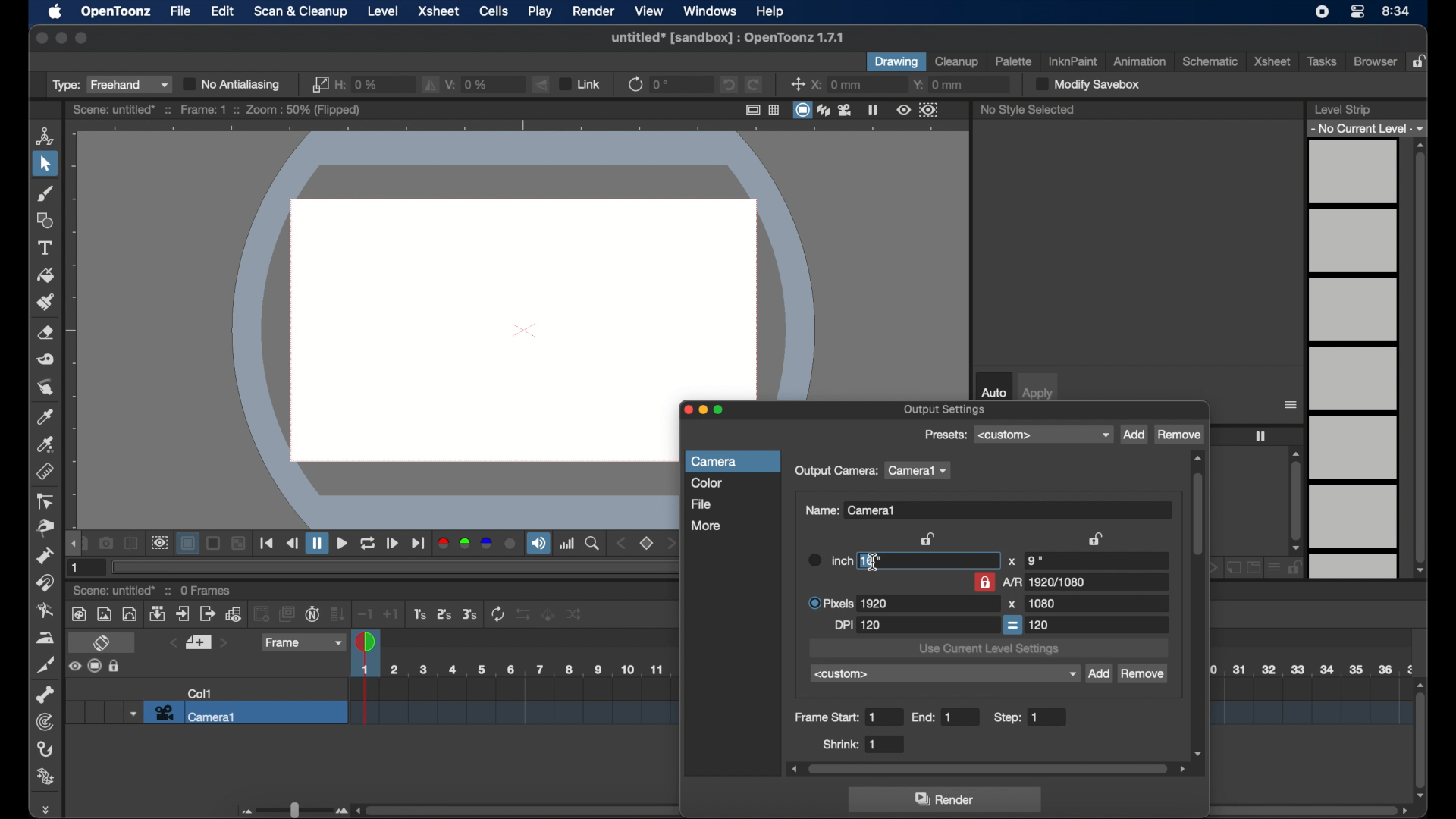 This screenshot has width=1456, height=819. What do you see at coordinates (1179, 435) in the screenshot?
I see `remove` at bounding box center [1179, 435].